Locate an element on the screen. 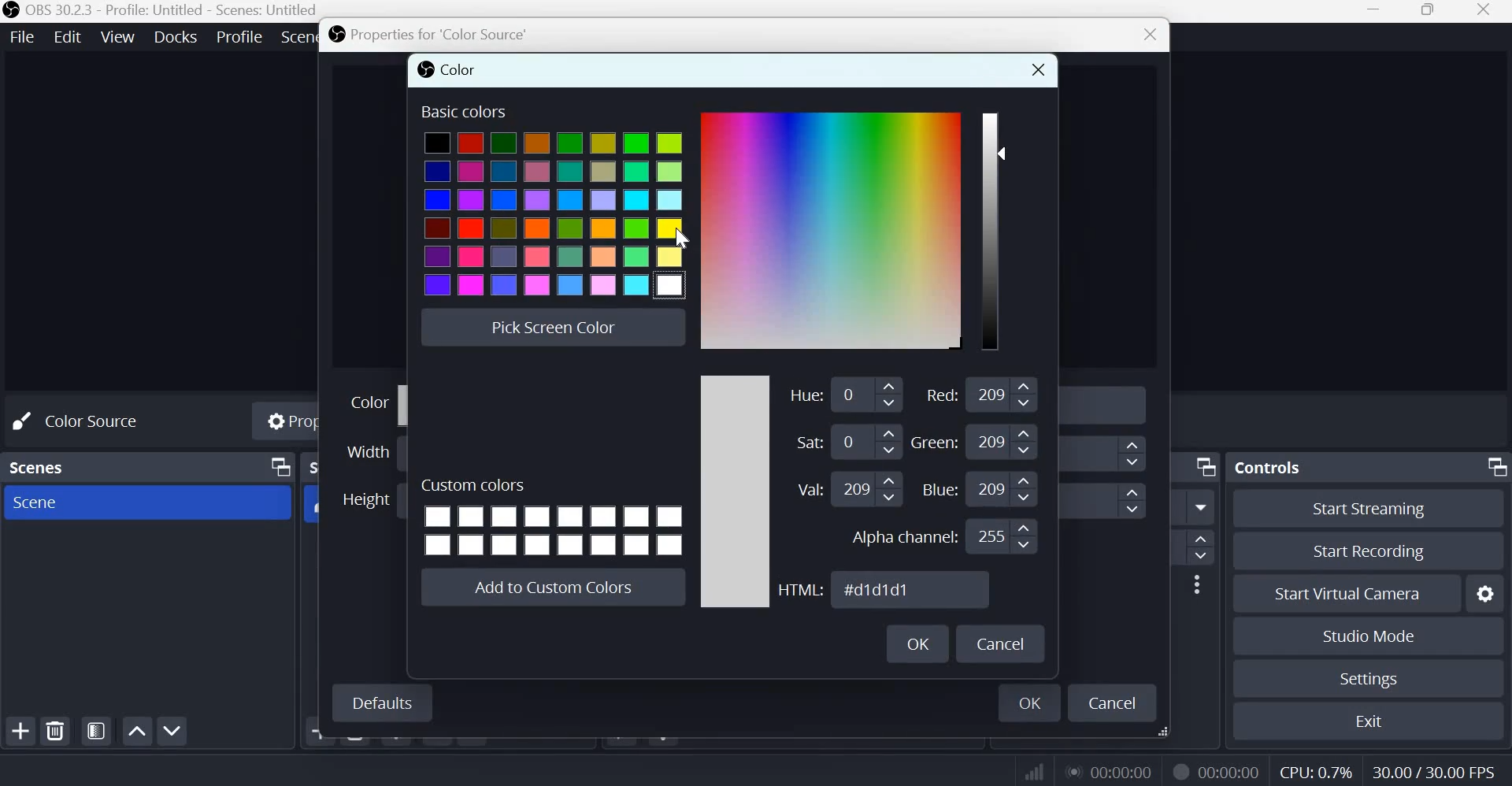 This screenshot has width=1512, height=786. Start streaming is located at coordinates (1376, 508).